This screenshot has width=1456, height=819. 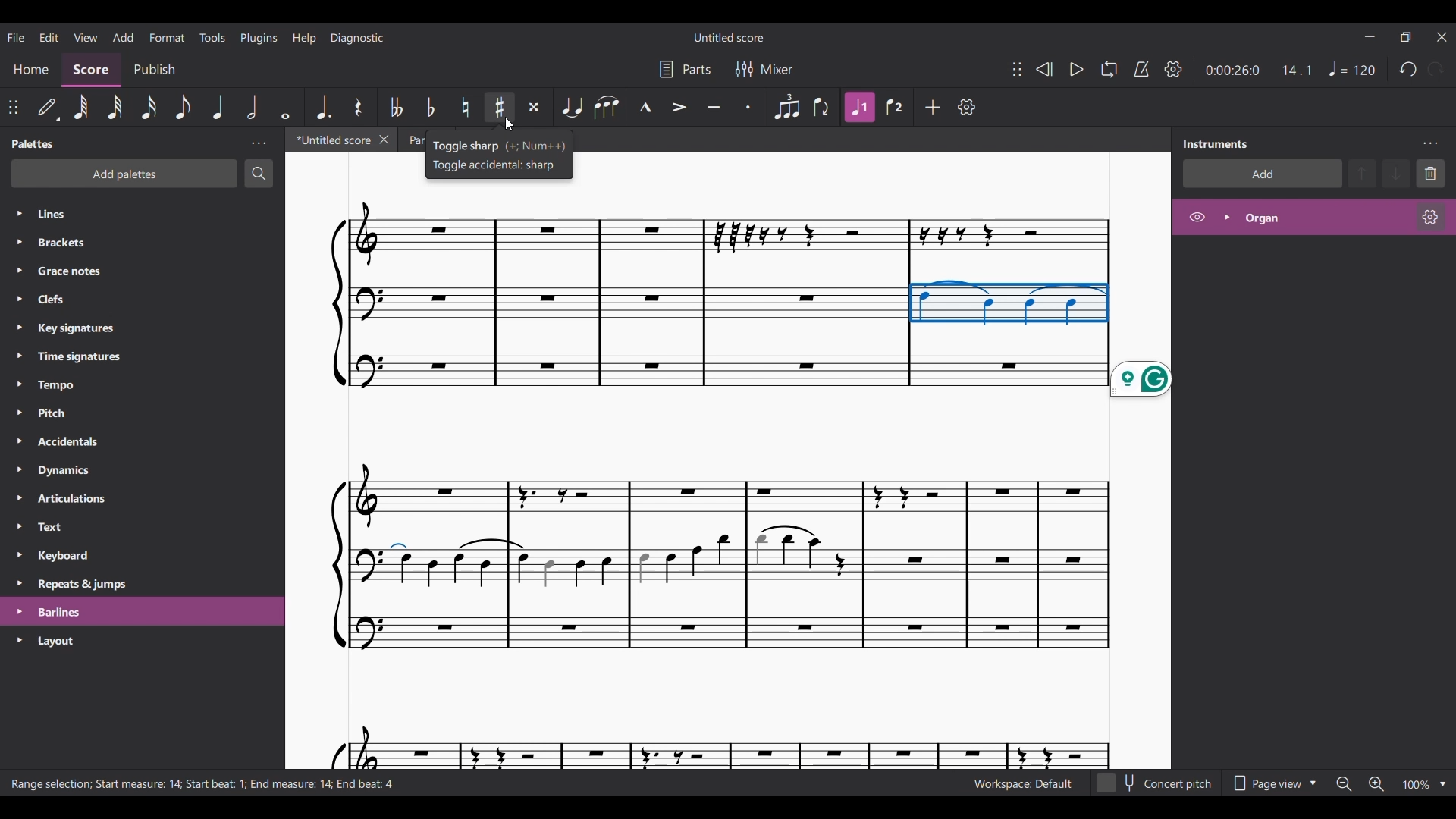 I want to click on Instruments panel settings, so click(x=1429, y=143).